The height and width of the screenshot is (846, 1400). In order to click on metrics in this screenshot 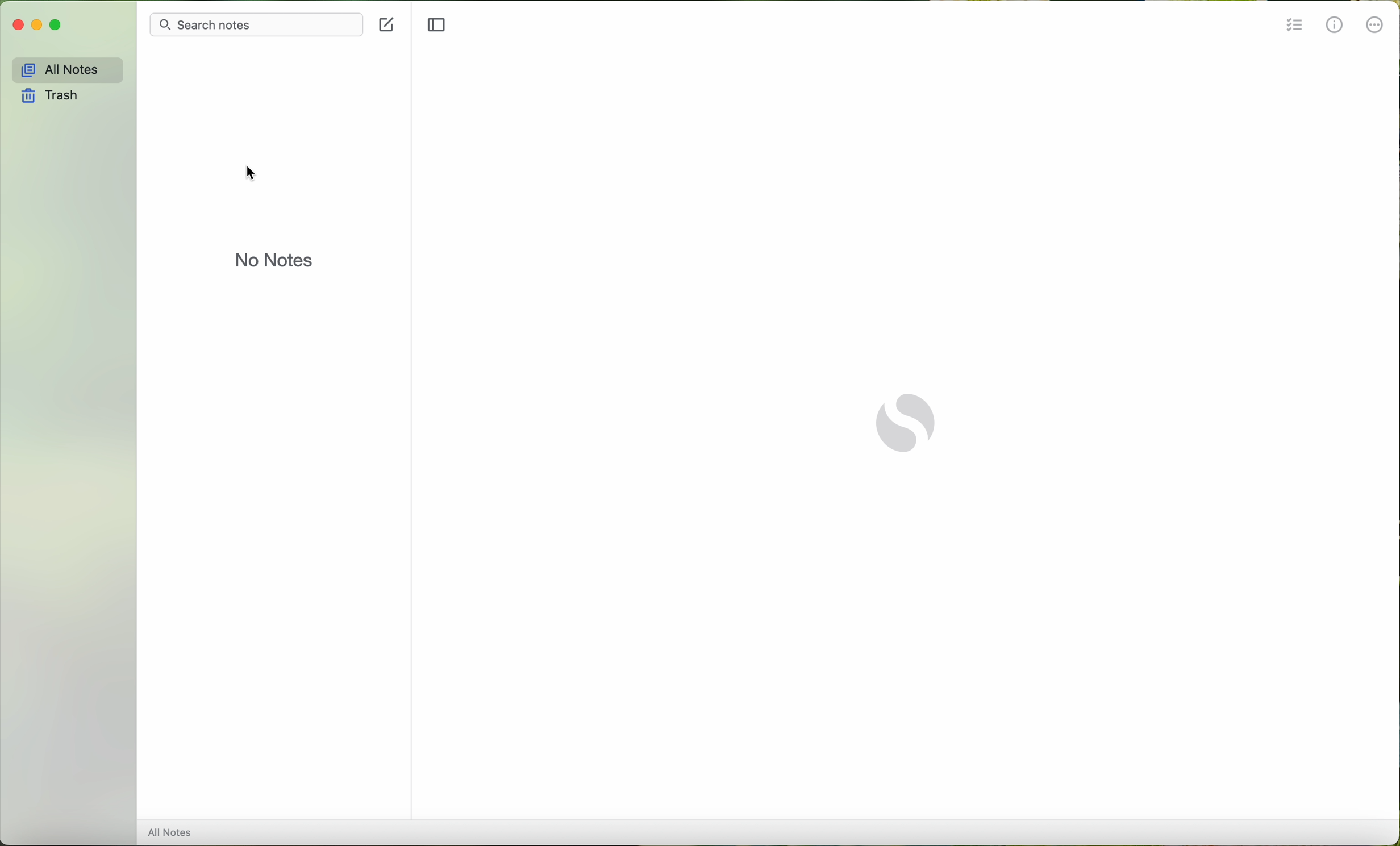, I will do `click(1335, 24)`.